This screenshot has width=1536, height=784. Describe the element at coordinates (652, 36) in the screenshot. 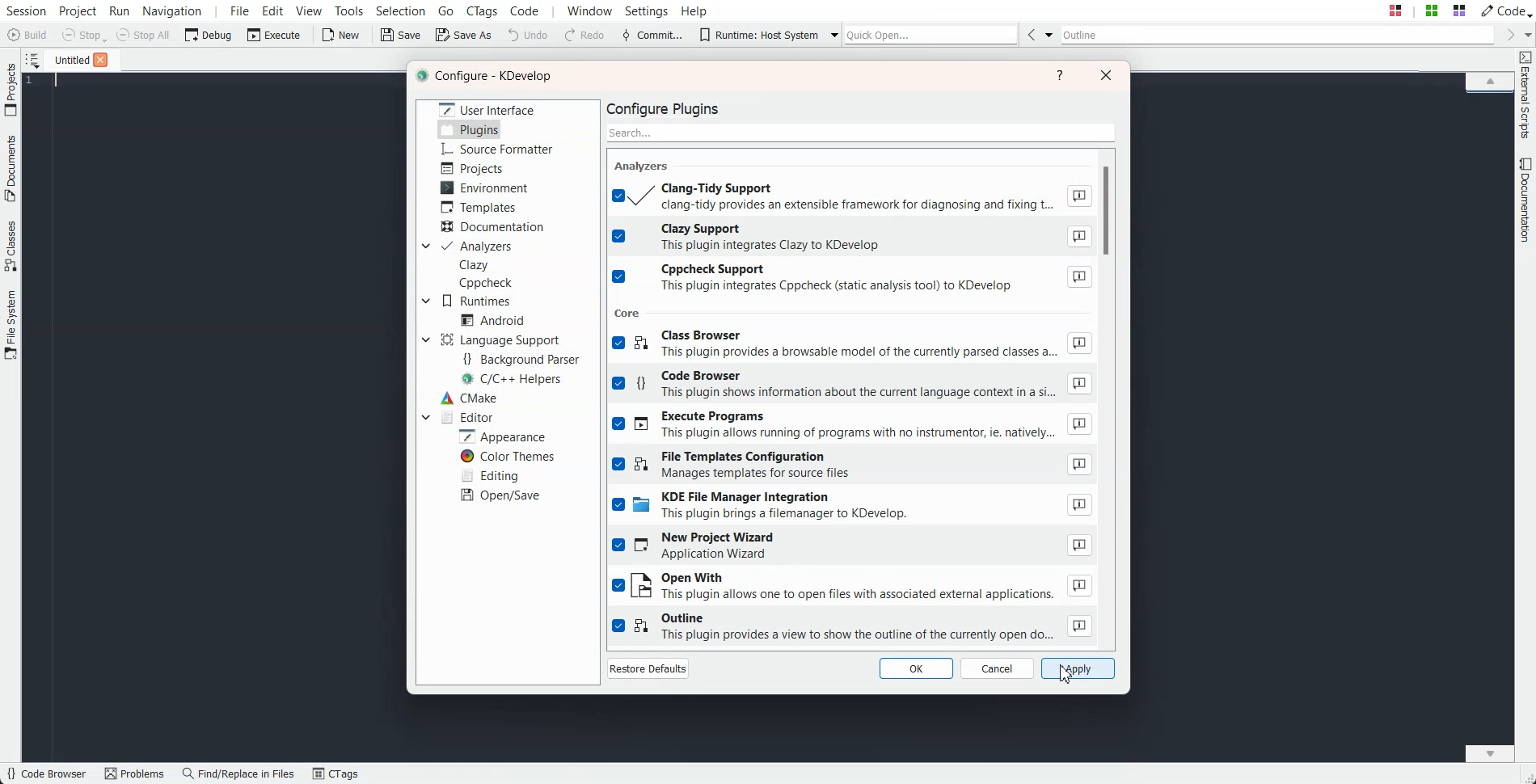

I see `Commit` at that location.